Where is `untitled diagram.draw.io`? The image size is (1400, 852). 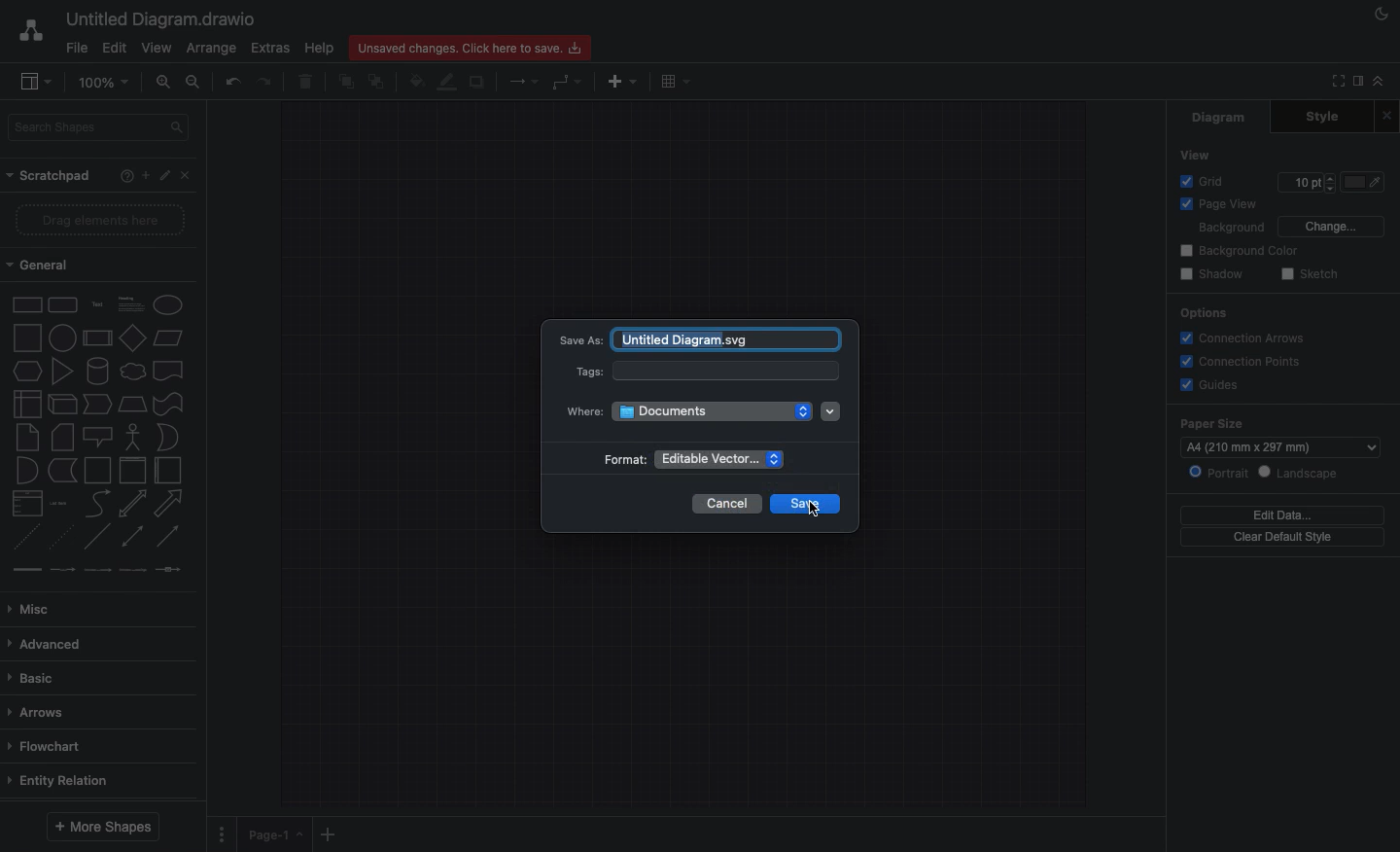 untitled diagram.draw.io is located at coordinates (725, 337).